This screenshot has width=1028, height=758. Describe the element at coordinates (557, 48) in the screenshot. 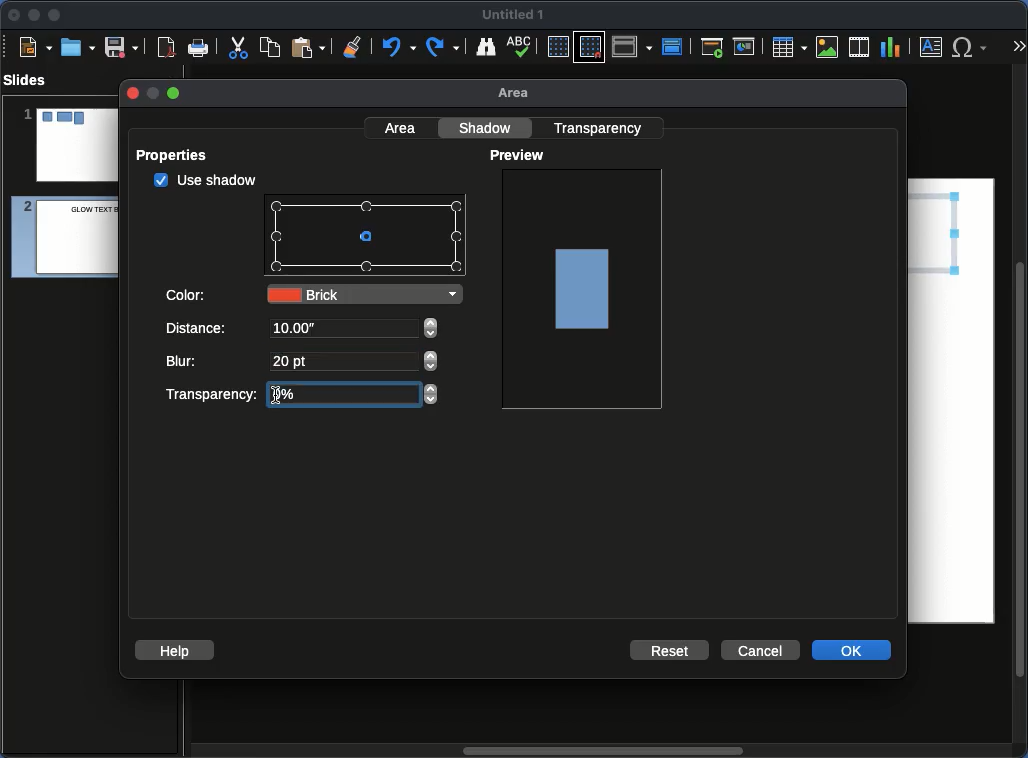

I see `Display grid` at that location.